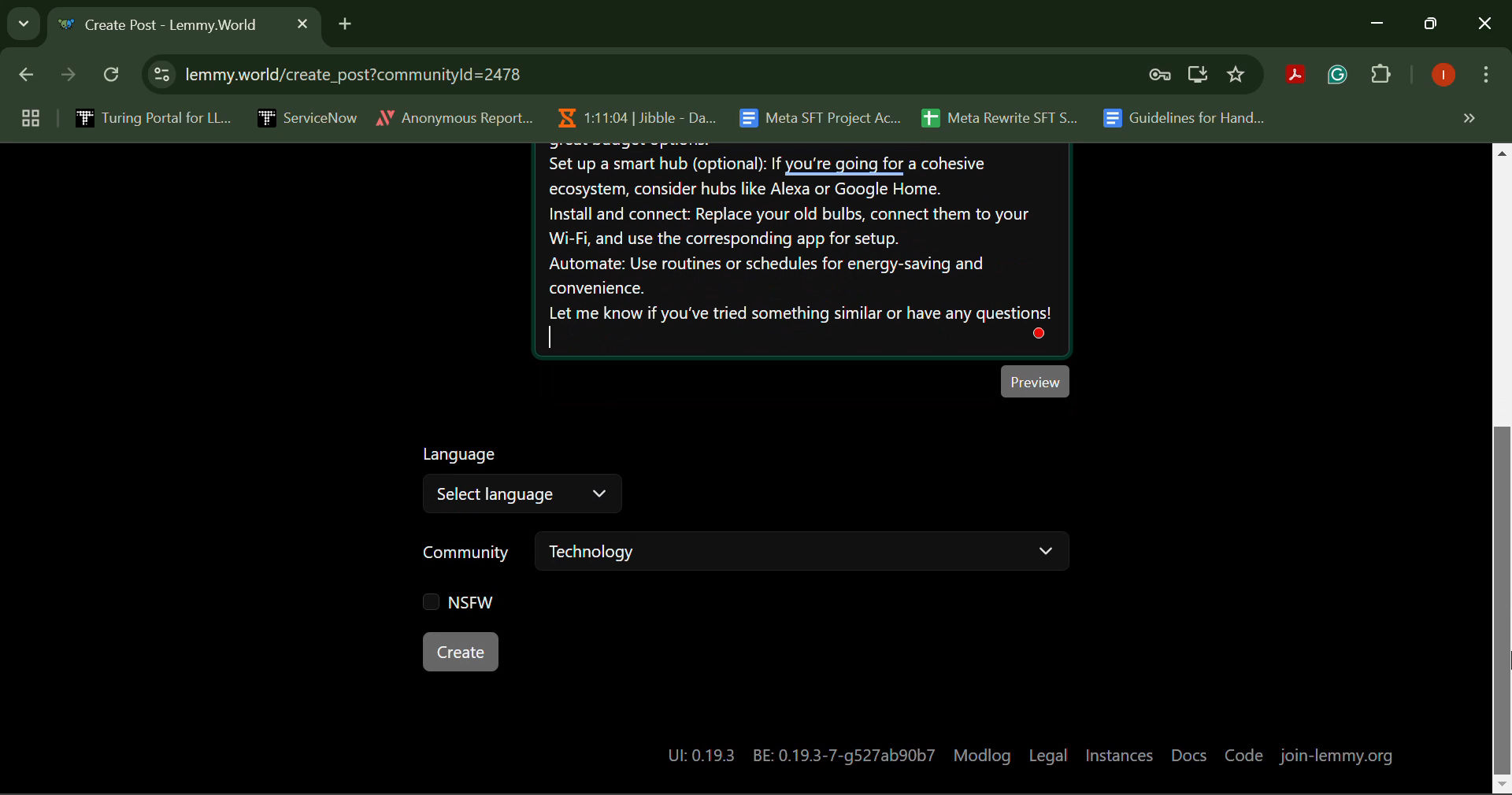  What do you see at coordinates (1440, 76) in the screenshot?
I see `Logged In User` at bounding box center [1440, 76].